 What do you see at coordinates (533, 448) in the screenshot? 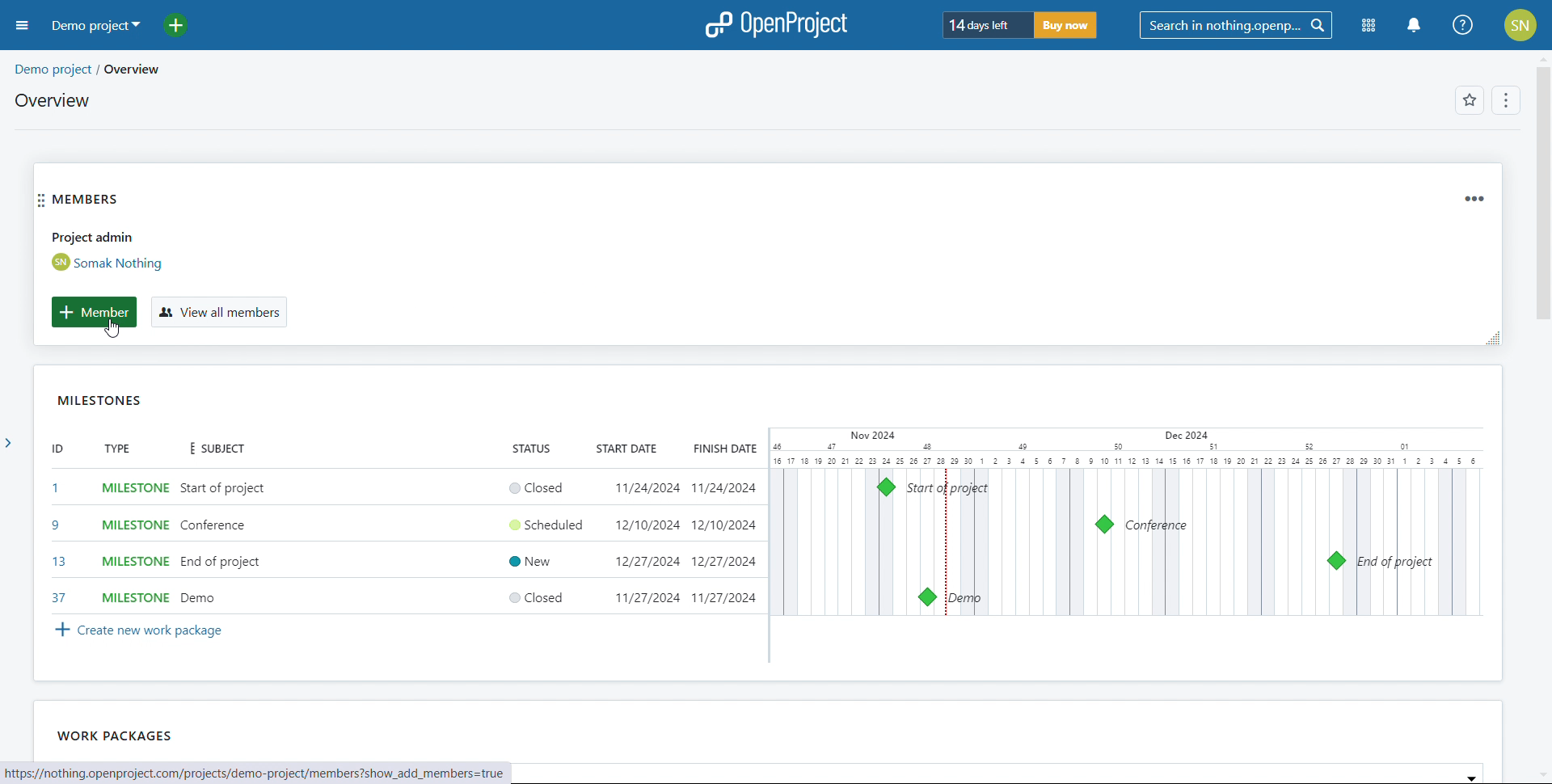
I see `STATUS` at bounding box center [533, 448].